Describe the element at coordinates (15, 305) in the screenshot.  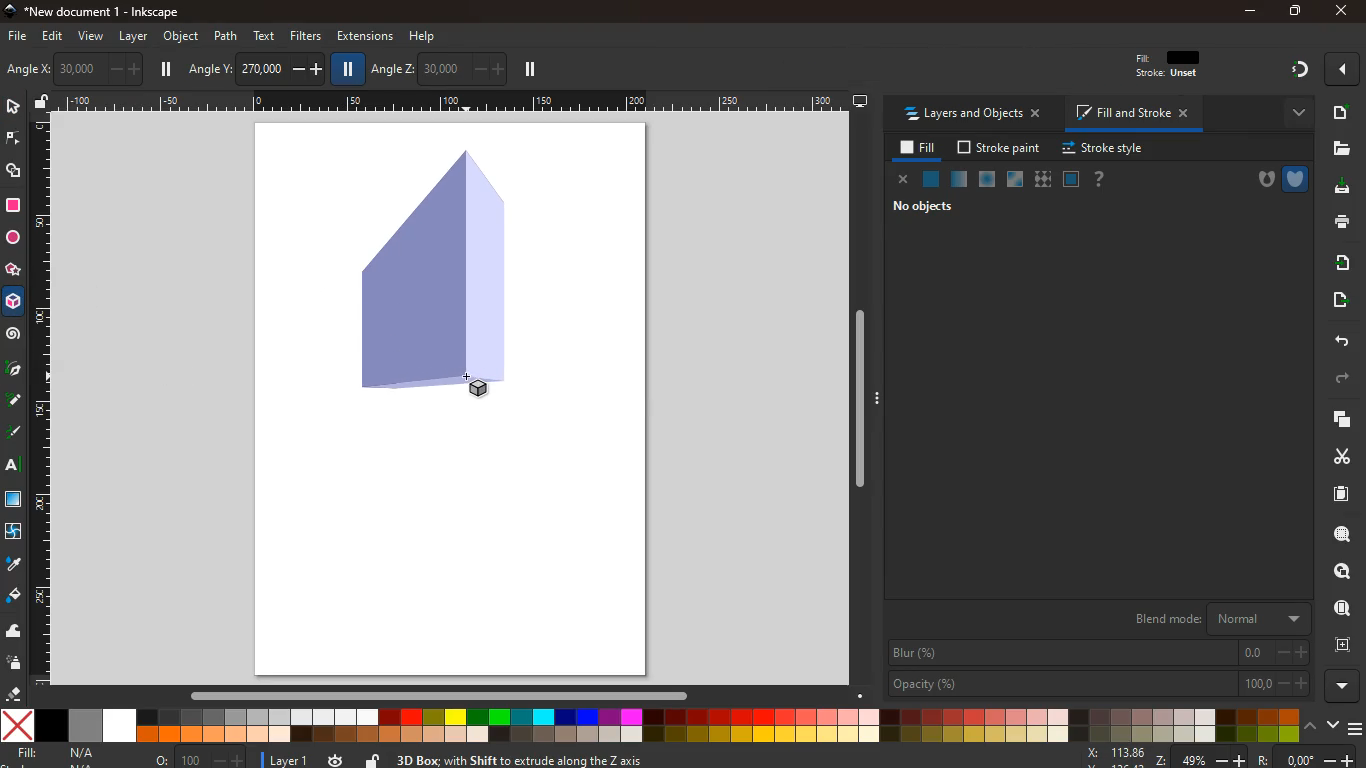
I see `3d tool` at that location.